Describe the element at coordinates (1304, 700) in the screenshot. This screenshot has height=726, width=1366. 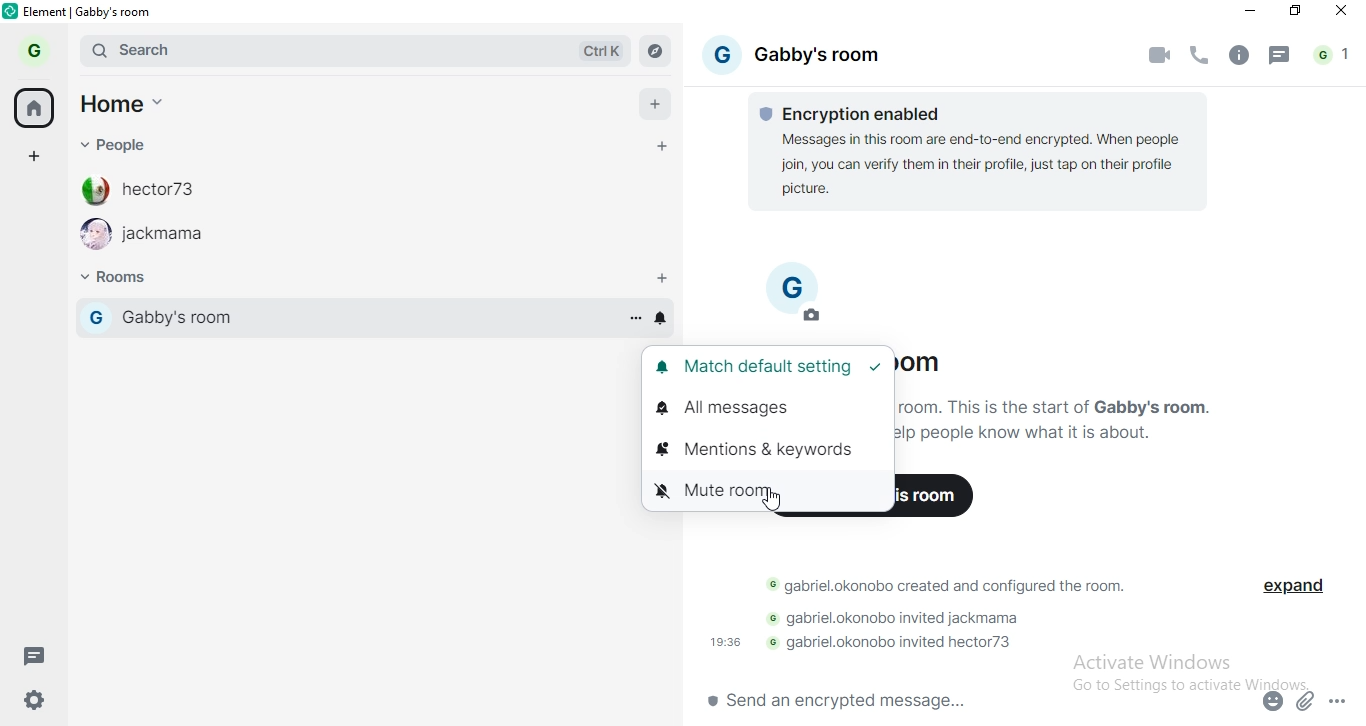
I see `attachment` at that location.